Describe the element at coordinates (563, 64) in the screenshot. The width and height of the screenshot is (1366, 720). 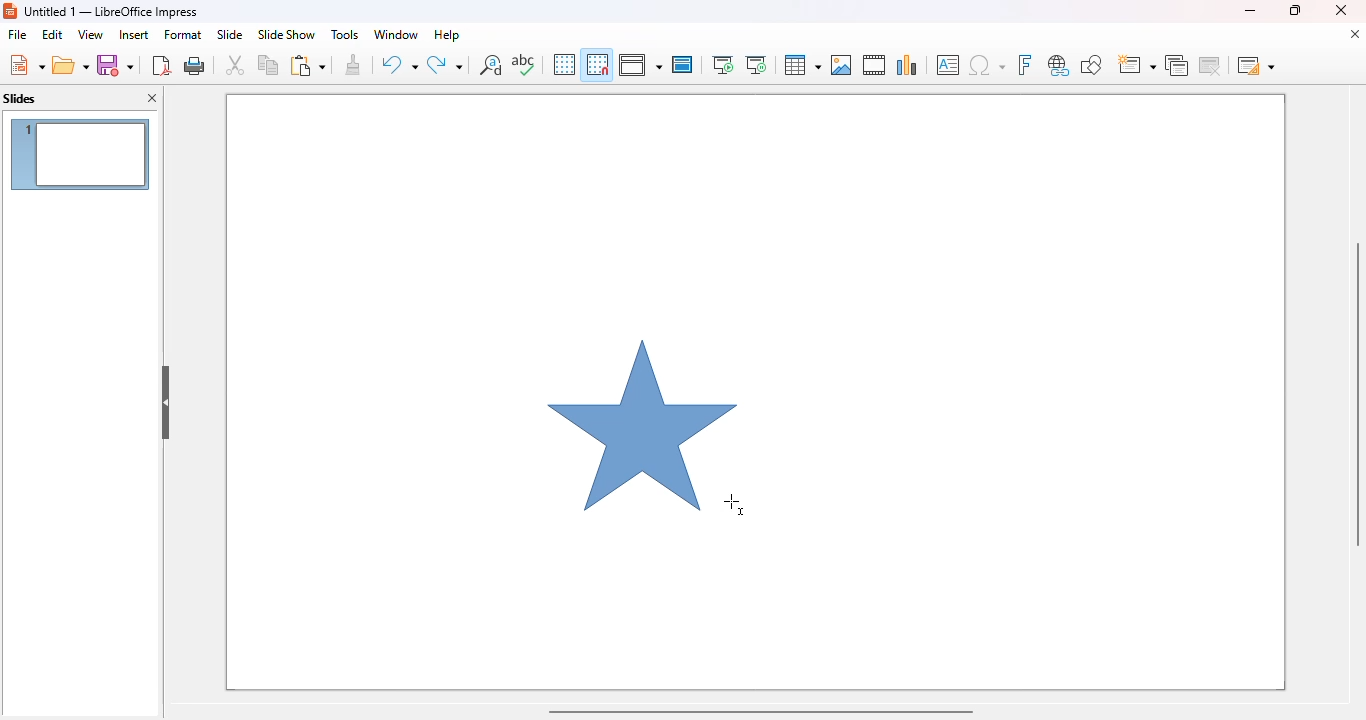
I see `display grid` at that location.